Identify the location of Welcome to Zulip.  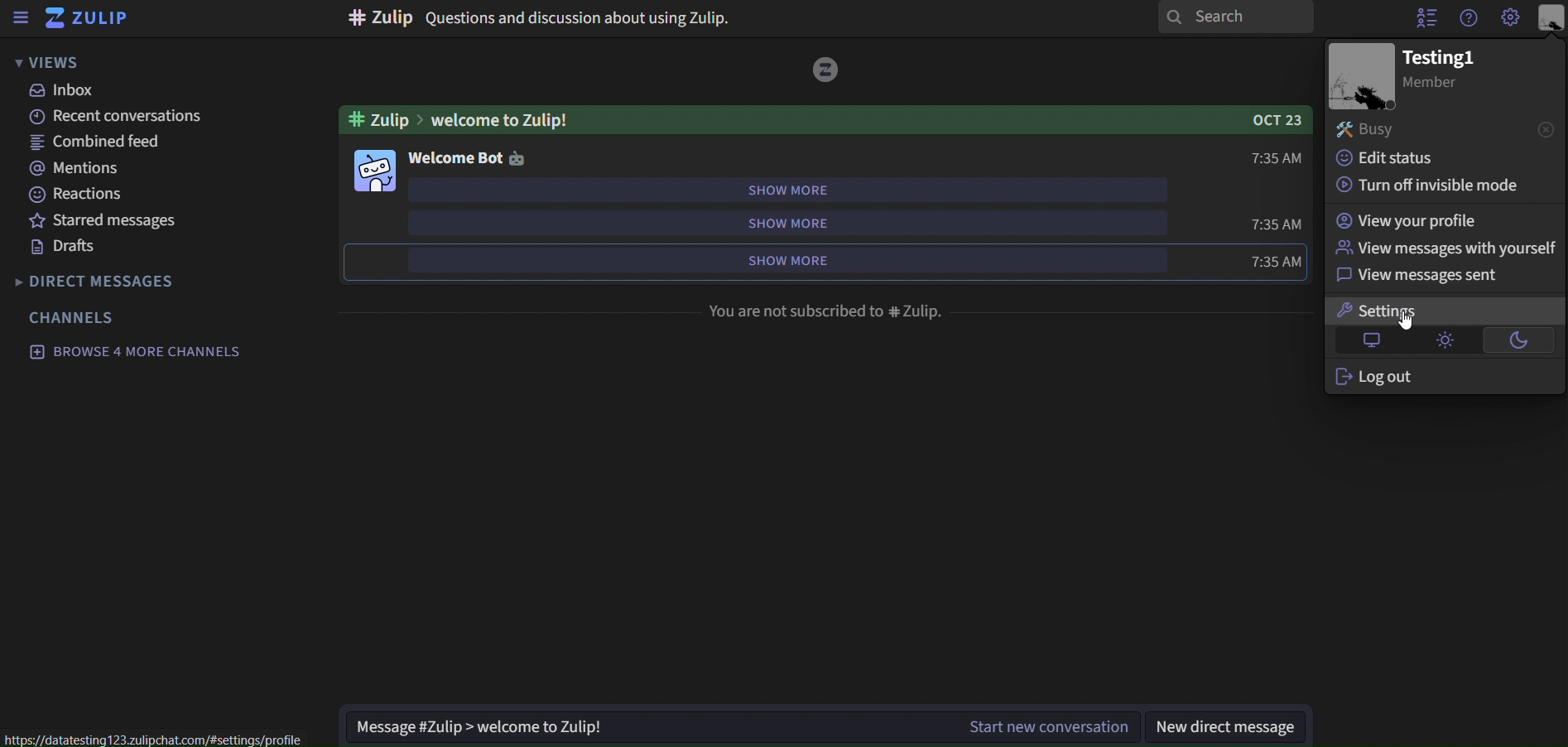
(826, 121).